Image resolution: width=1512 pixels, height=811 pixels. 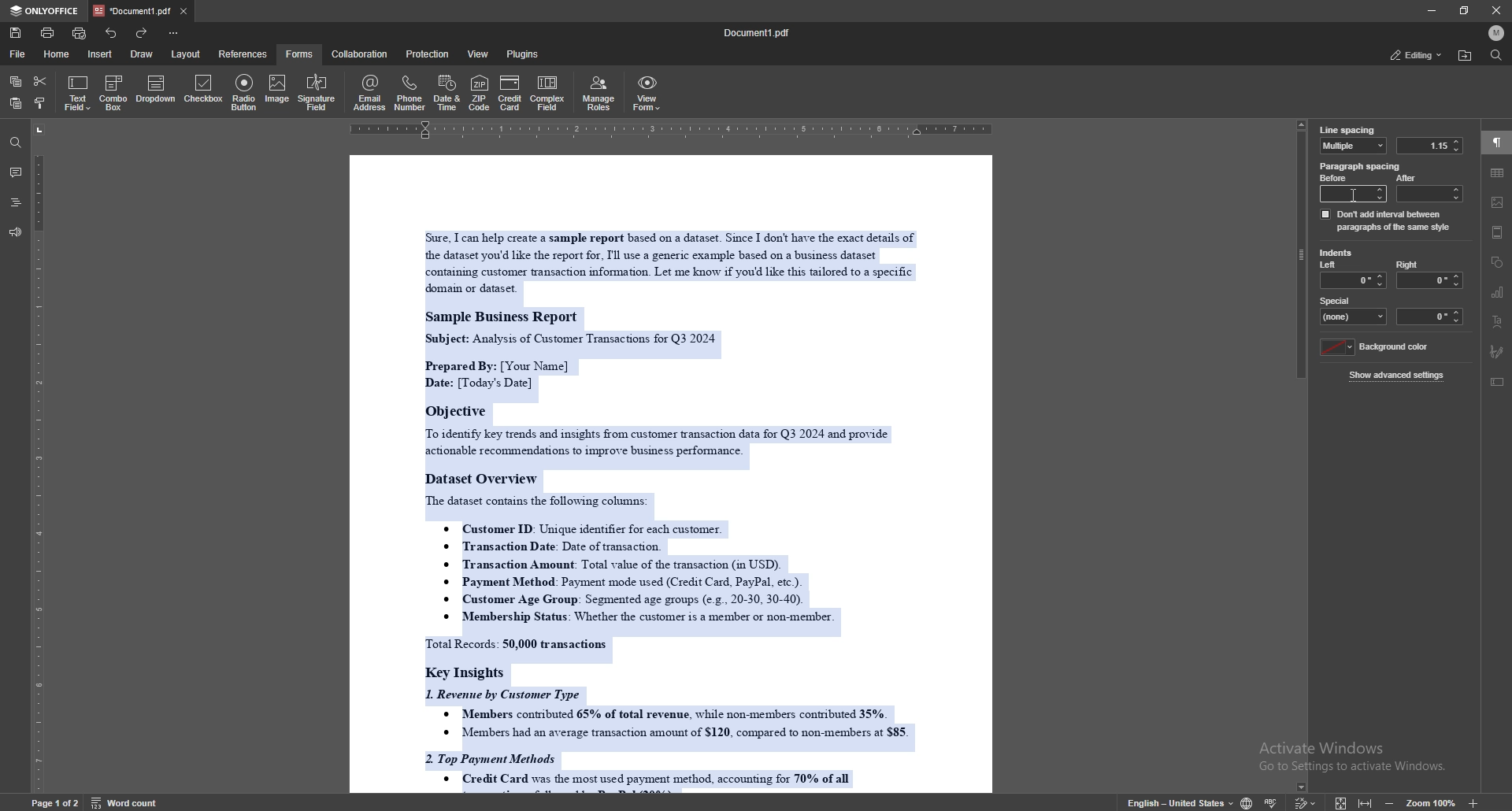 What do you see at coordinates (42, 105) in the screenshot?
I see `copy style` at bounding box center [42, 105].